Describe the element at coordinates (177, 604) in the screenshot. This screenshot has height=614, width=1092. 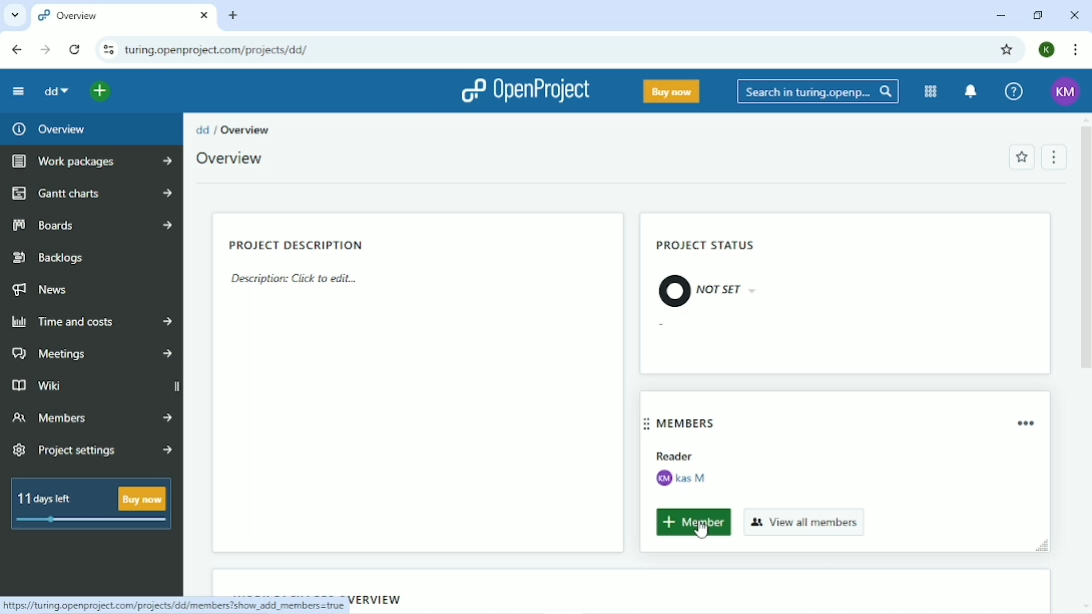
I see `Link` at that location.